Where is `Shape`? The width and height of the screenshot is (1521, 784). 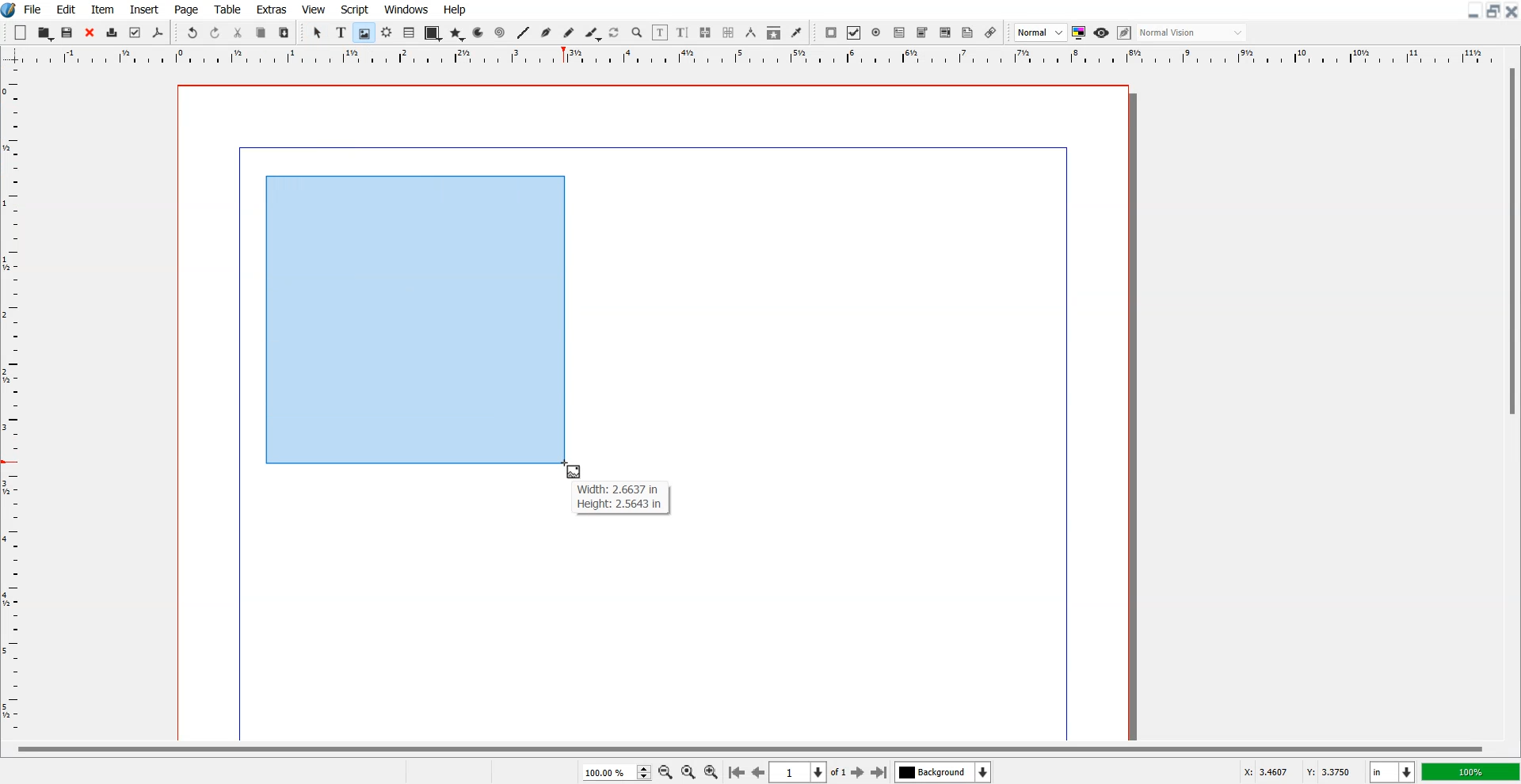 Shape is located at coordinates (432, 34).